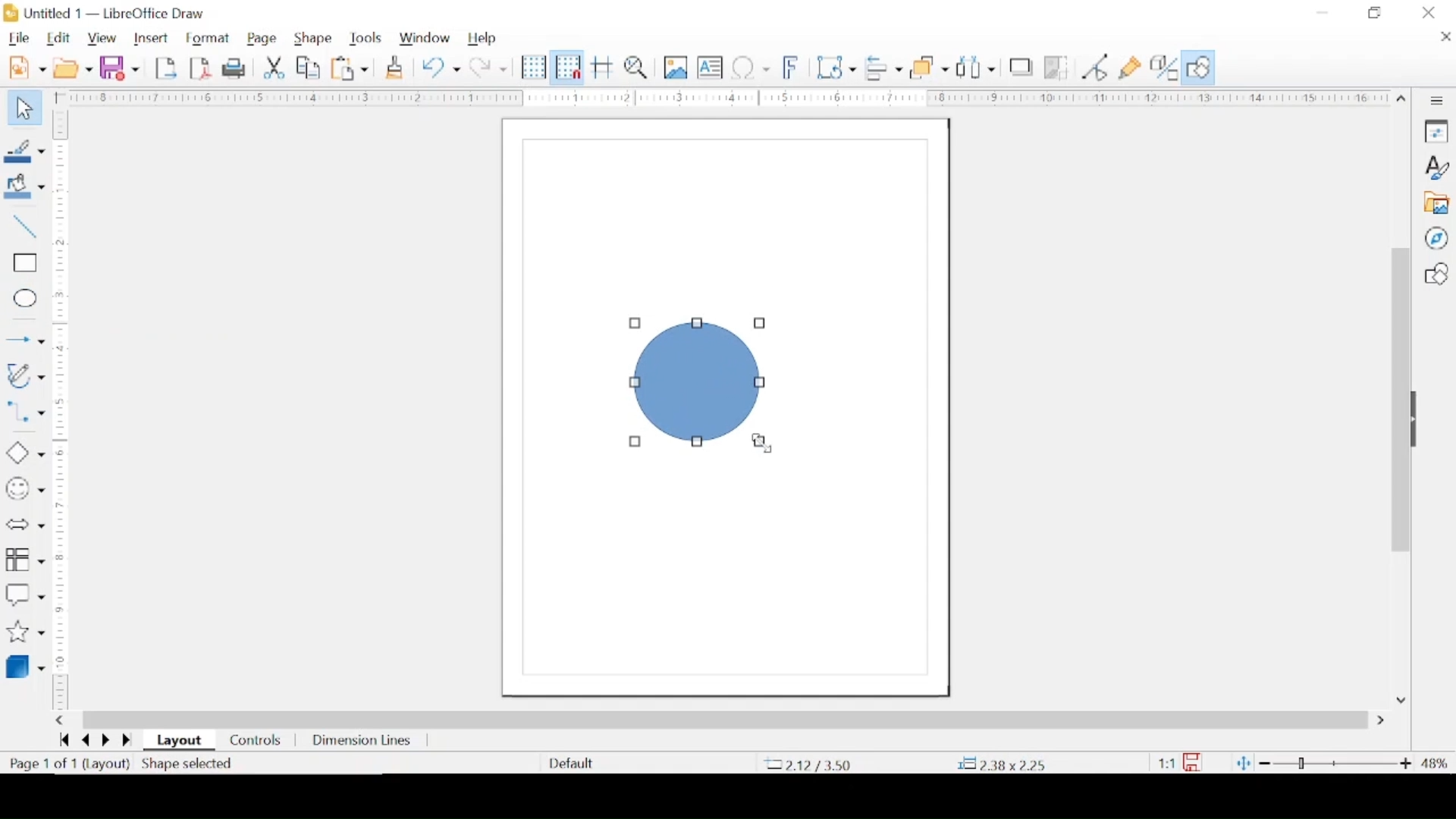 This screenshot has width=1456, height=819. What do you see at coordinates (975, 67) in the screenshot?
I see `select at least three objects to distribute` at bounding box center [975, 67].